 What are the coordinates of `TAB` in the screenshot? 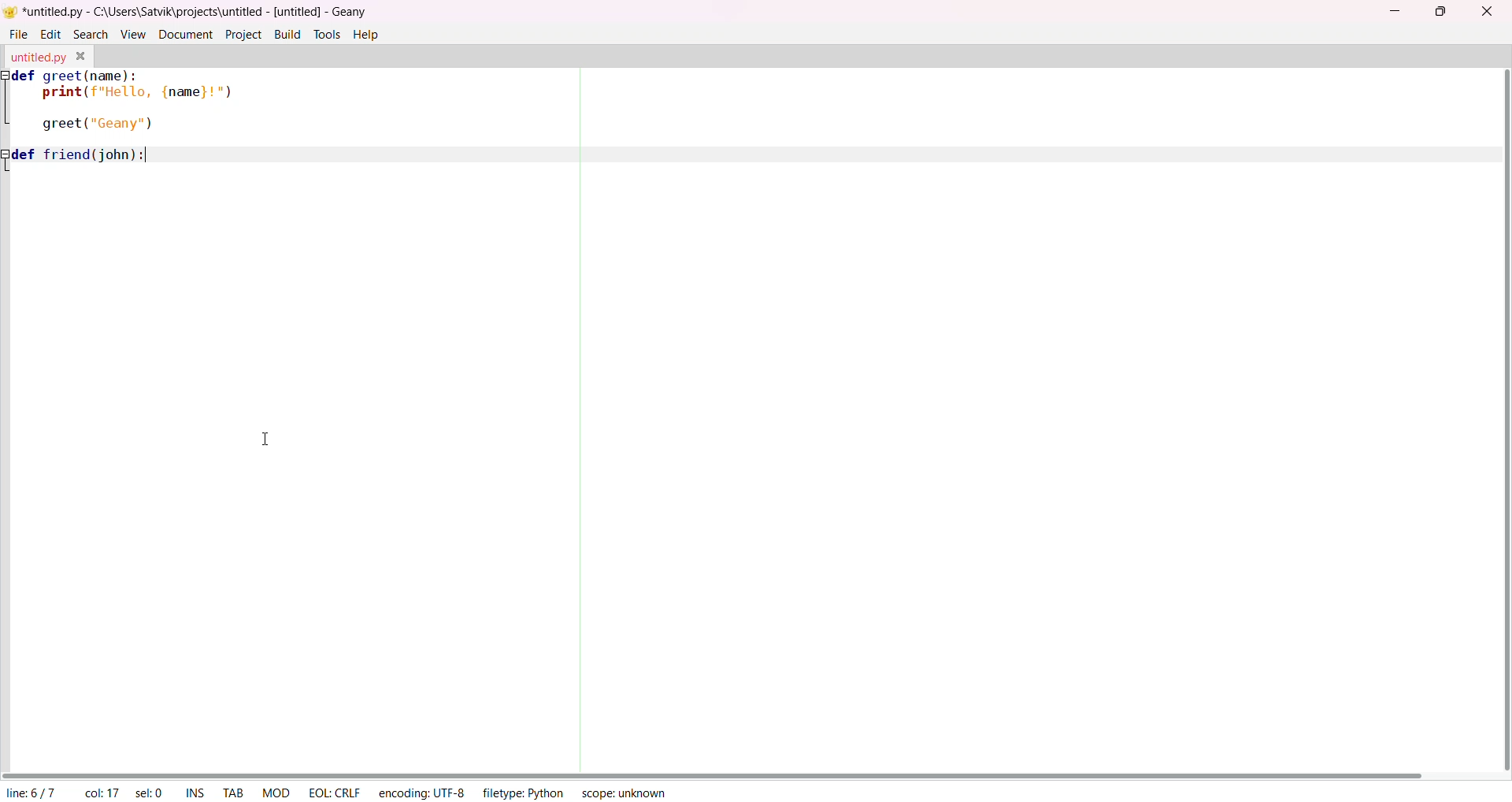 It's located at (231, 790).